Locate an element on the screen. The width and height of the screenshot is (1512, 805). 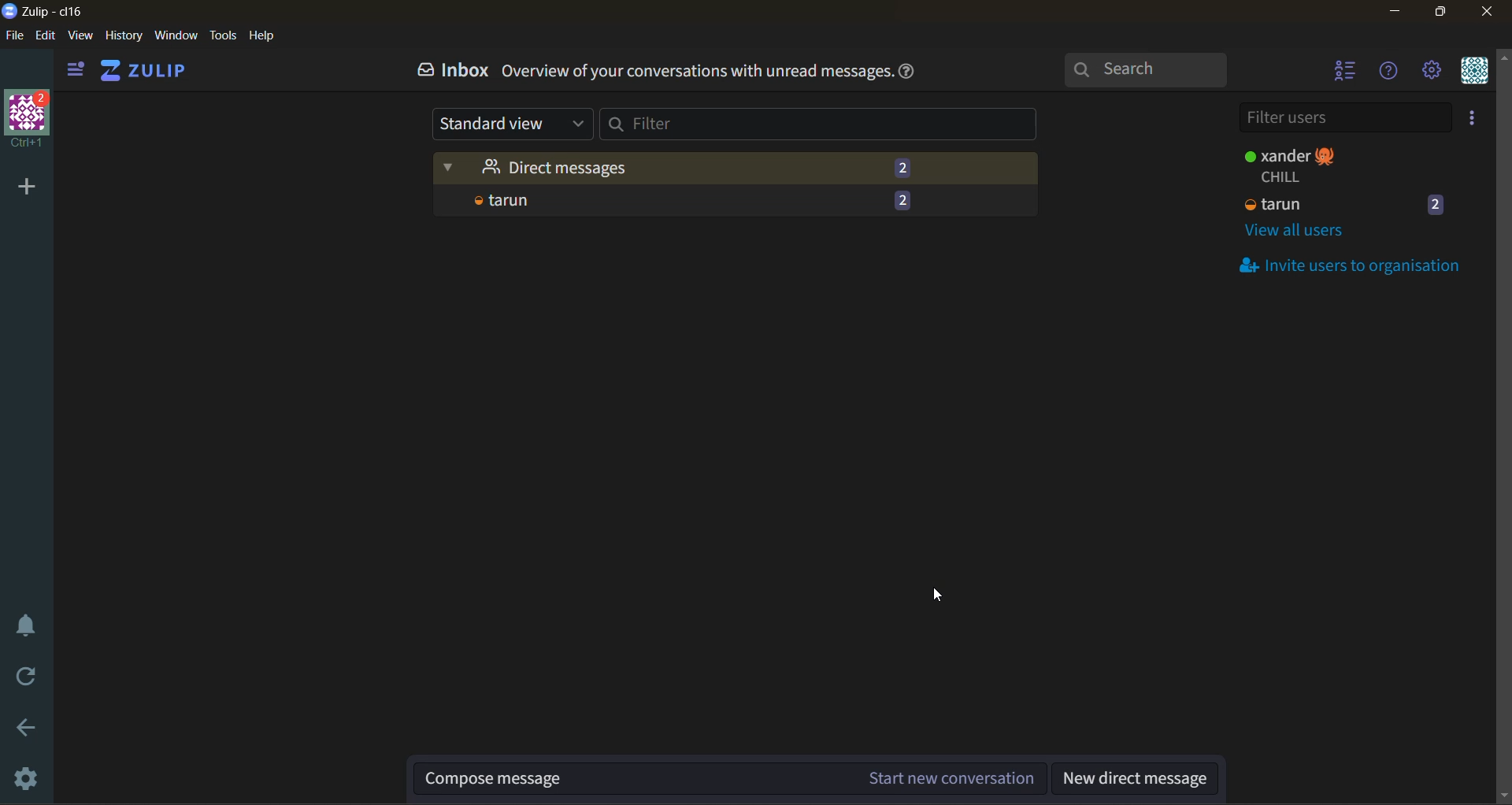
tools is located at coordinates (225, 35).